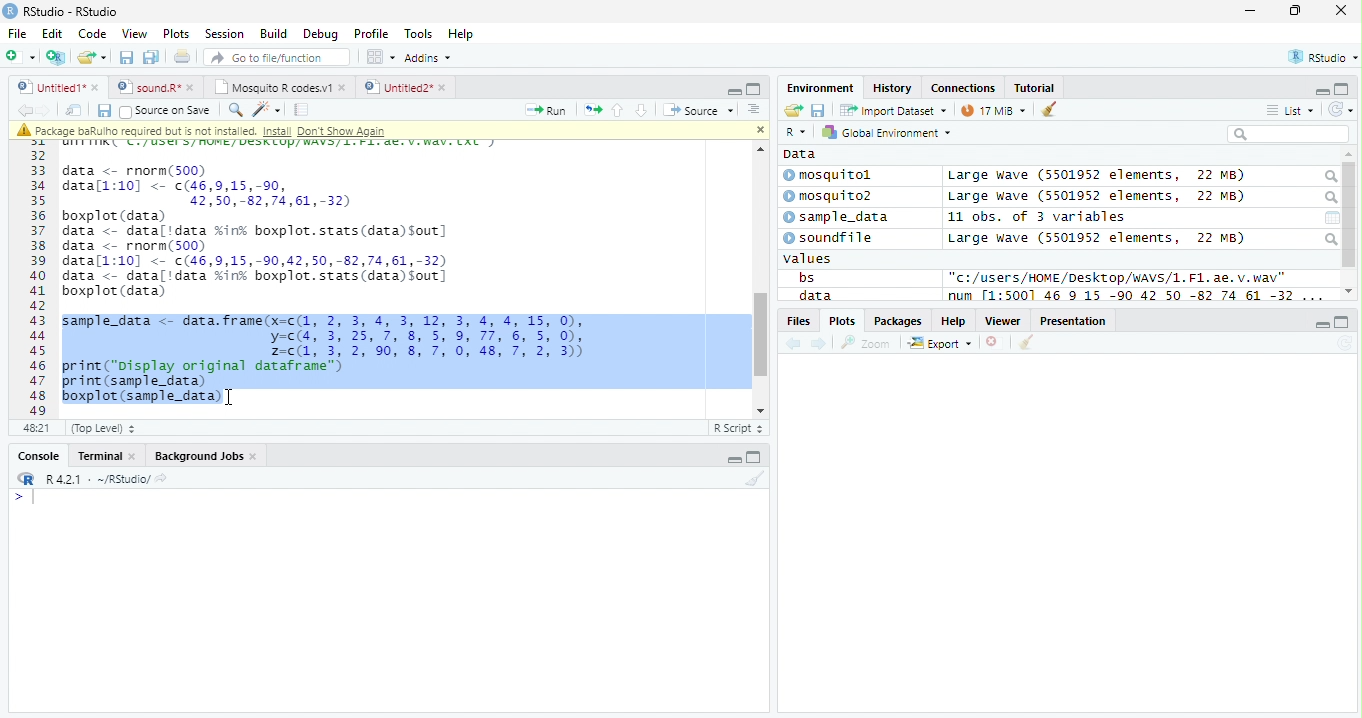  Describe the element at coordinates (319, 34) in the screenshot. I see `Debug` at that location.